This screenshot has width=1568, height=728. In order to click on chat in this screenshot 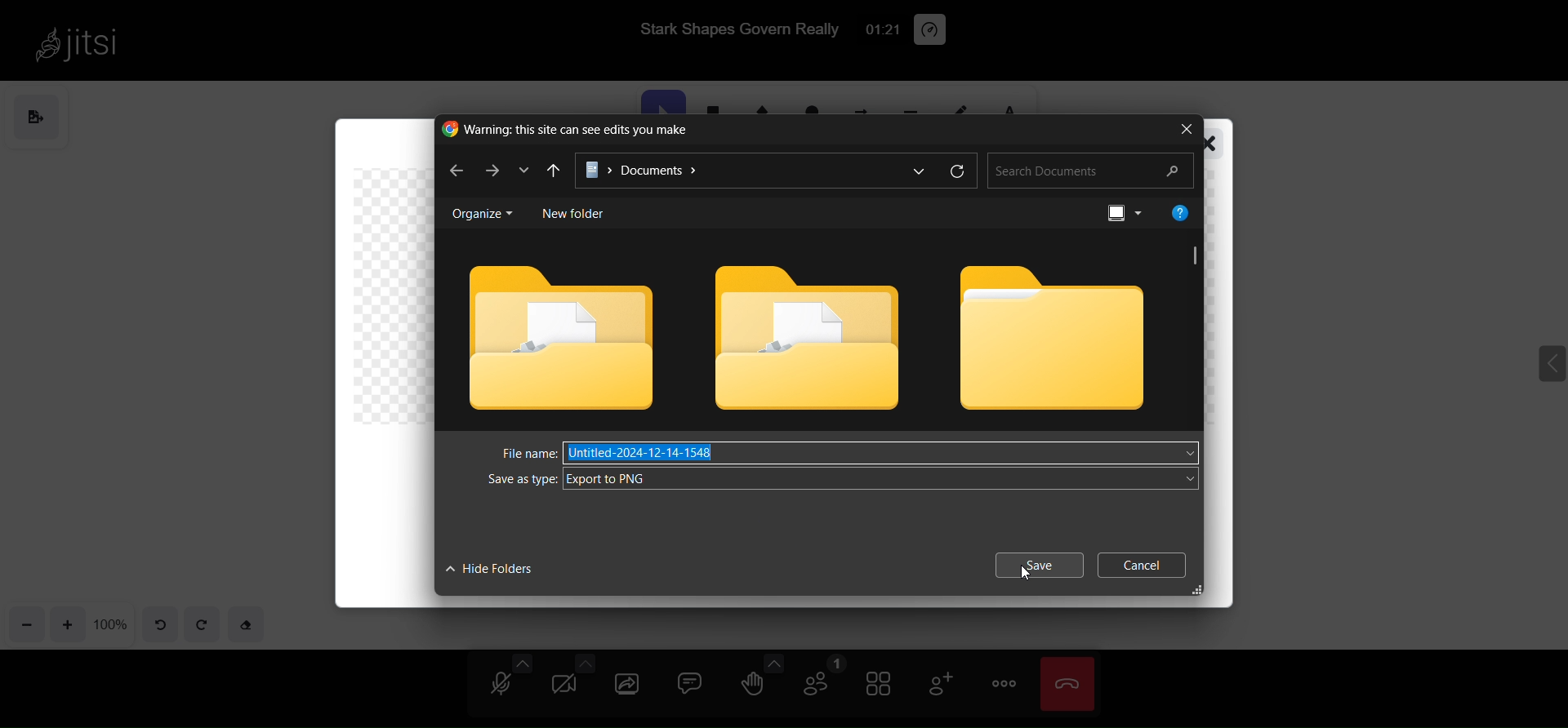, I will do `click(692, 683)`.